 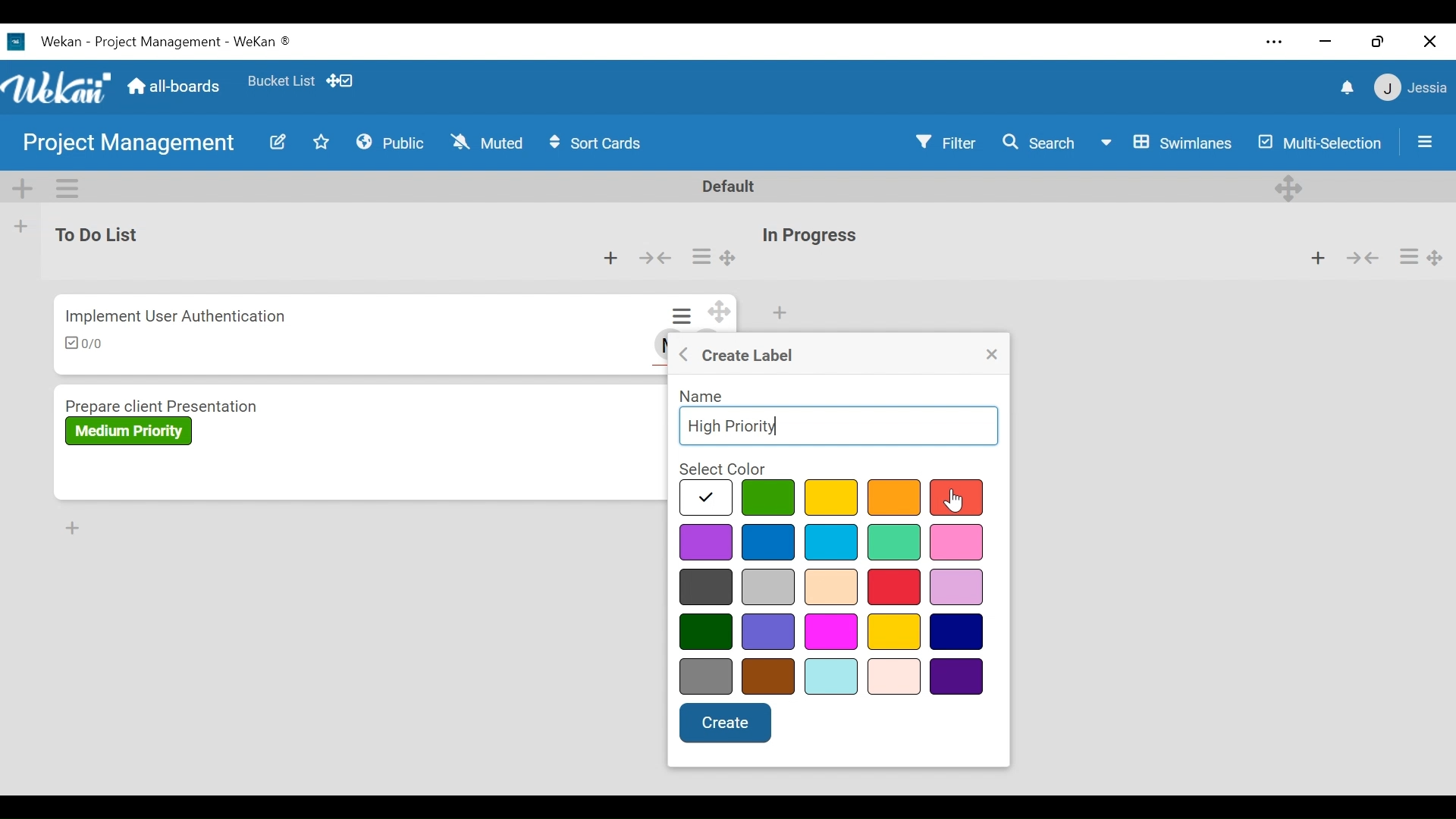 I want to click on Name Field, so click(x=840, y=426).